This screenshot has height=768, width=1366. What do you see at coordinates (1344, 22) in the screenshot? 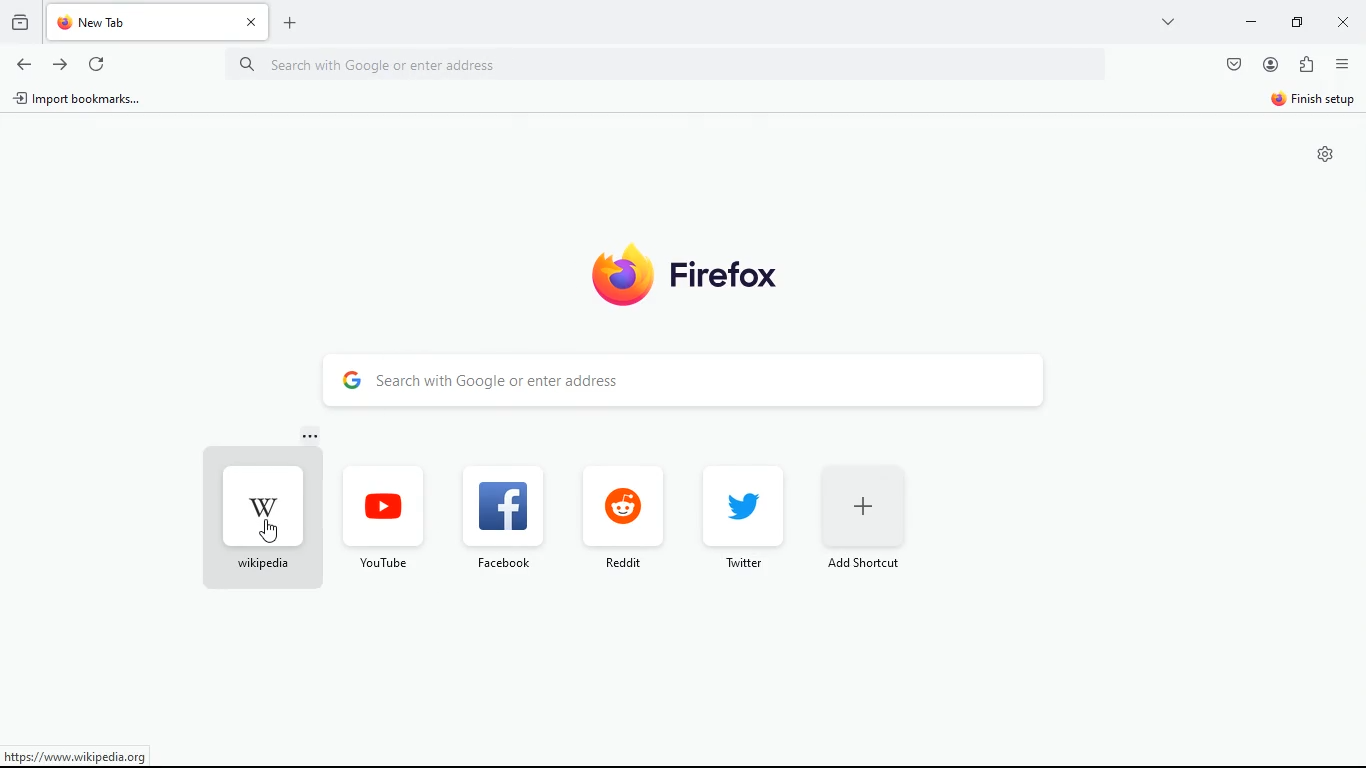
I see `close` at bounding box center [1344, 22].